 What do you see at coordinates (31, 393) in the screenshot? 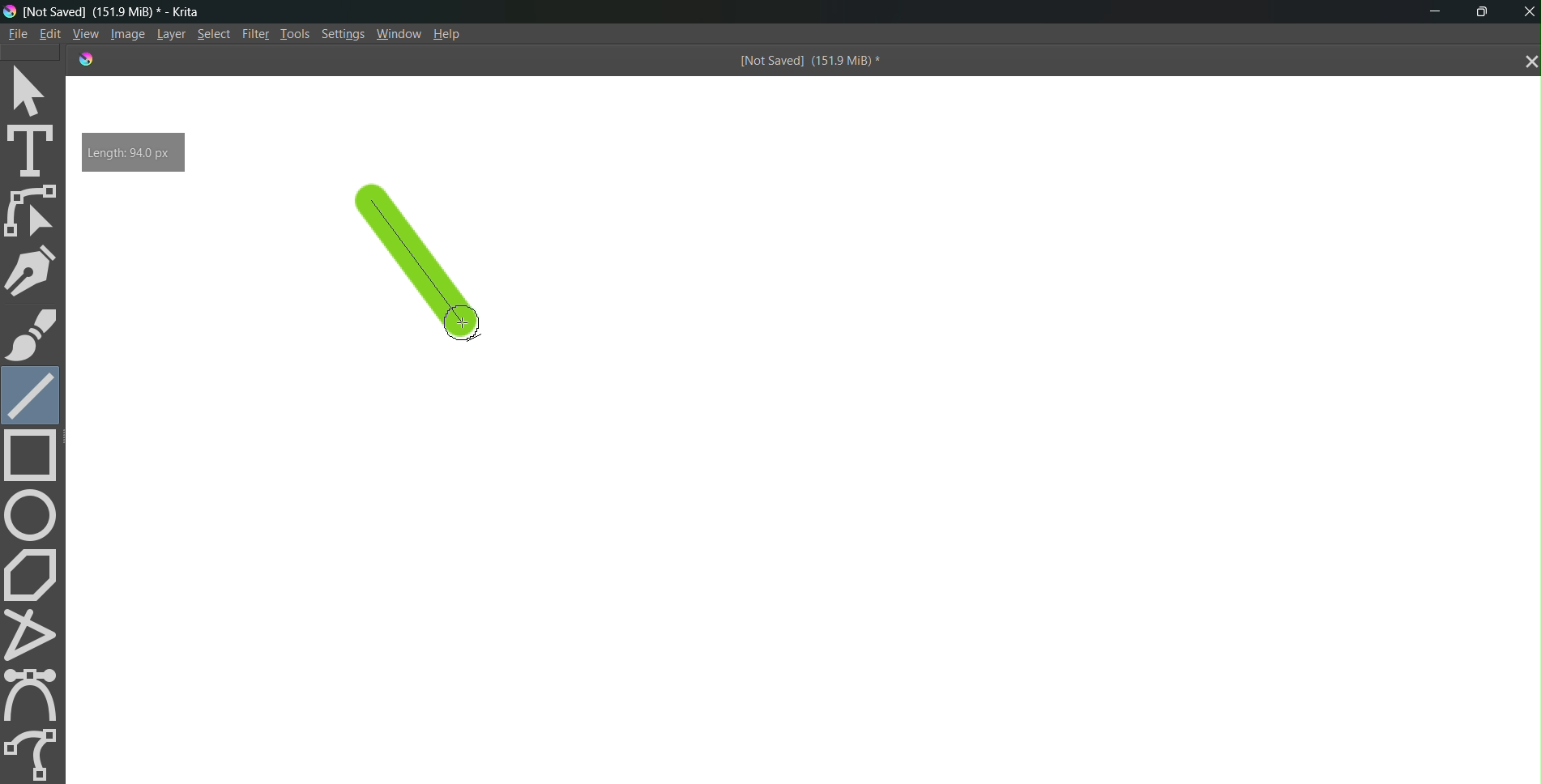
I see `line` at bounding box center [31, 393].